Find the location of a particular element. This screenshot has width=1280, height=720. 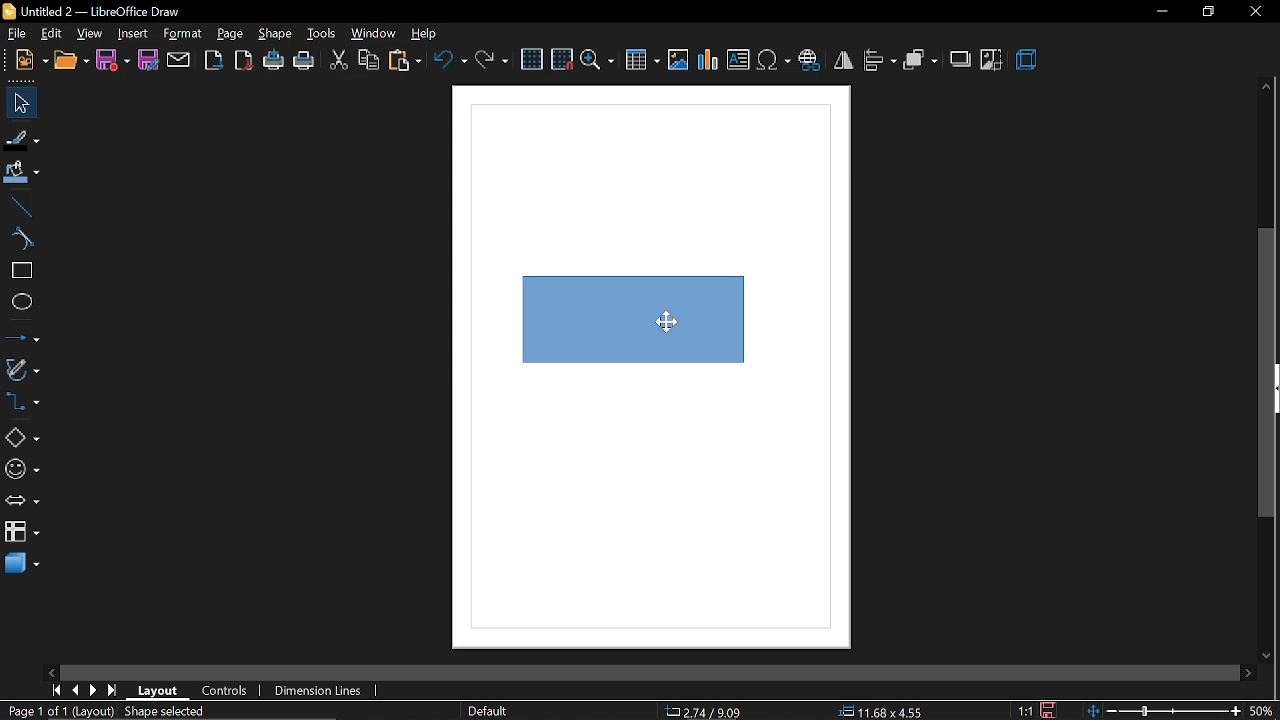

cut is located at coordinates (338, 61).